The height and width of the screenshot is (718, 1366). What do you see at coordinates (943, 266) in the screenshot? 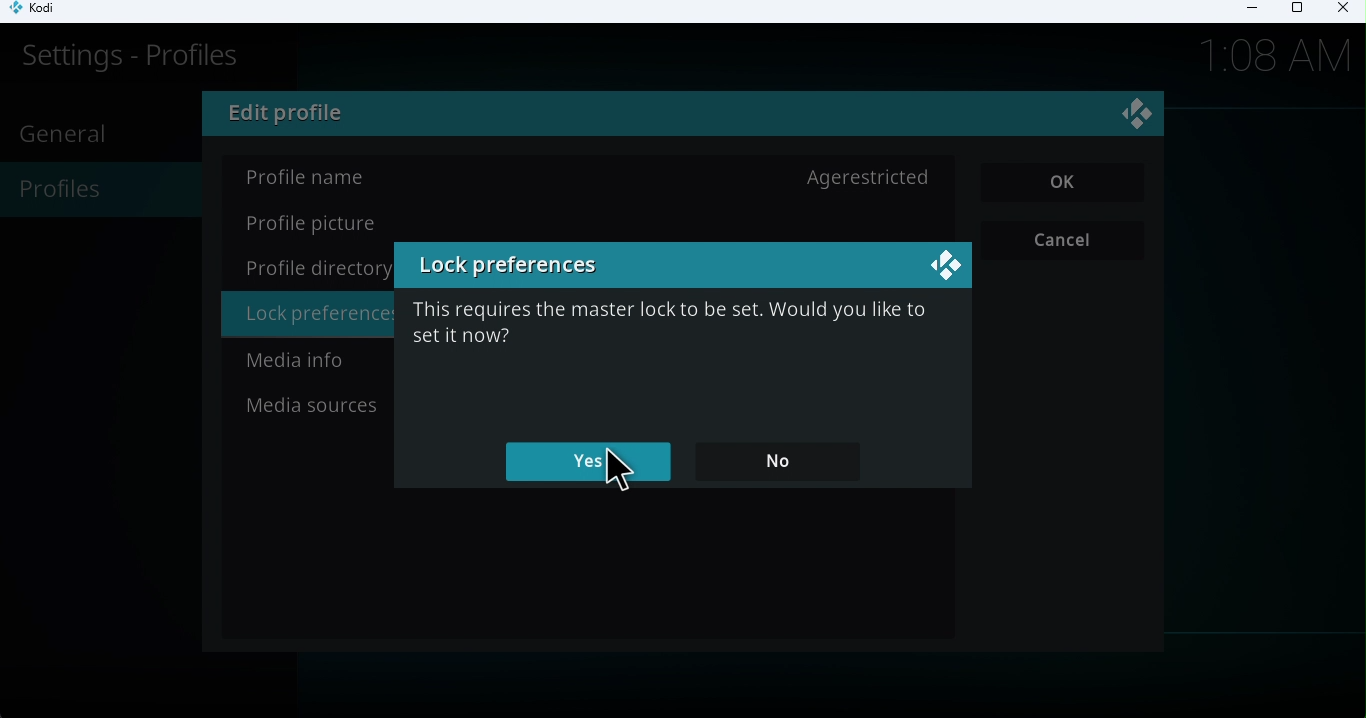
I see `Close` at bounding box center [943, 266].